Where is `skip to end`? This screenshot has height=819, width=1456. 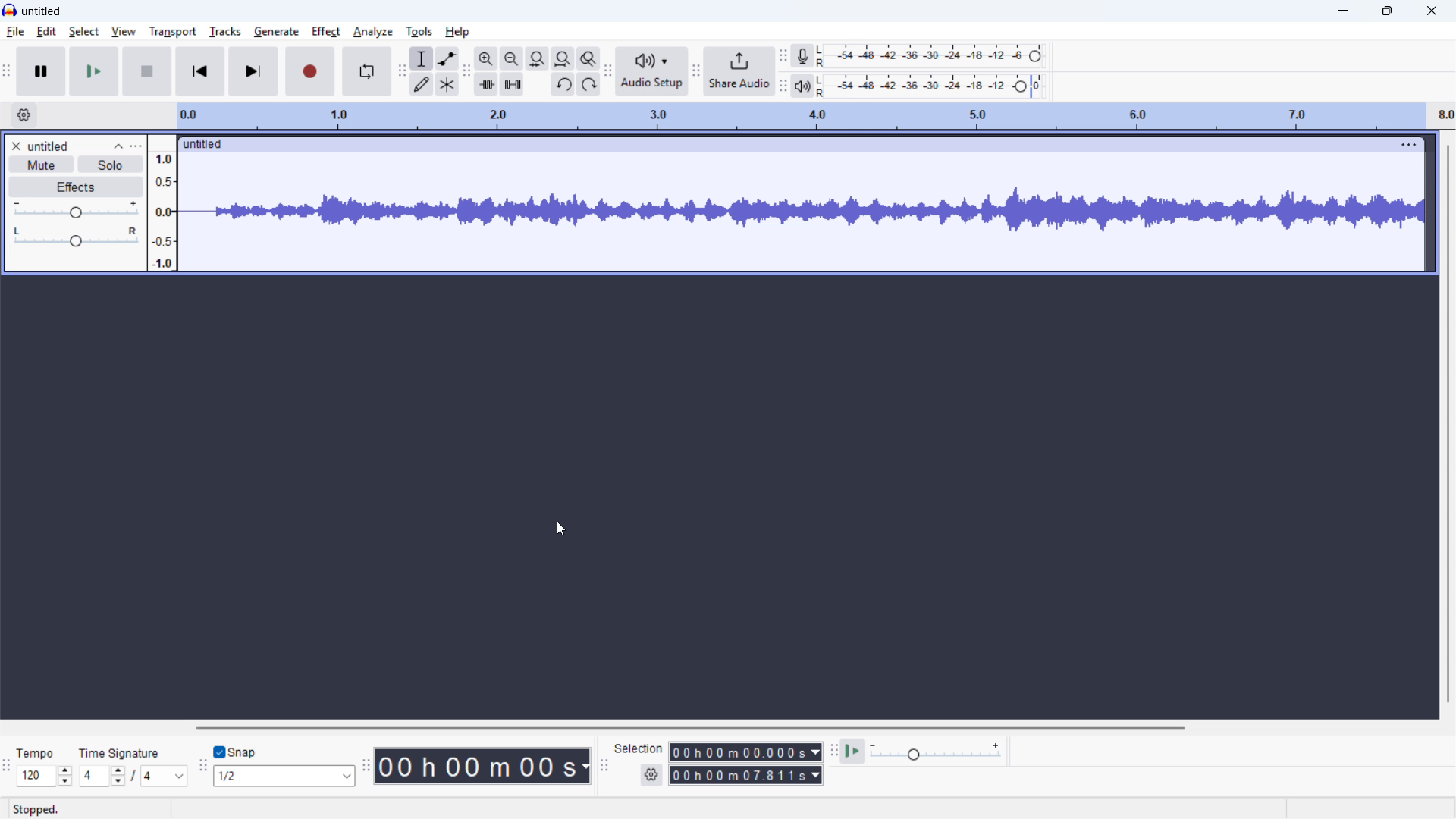
skip to end is located at coordinates (255, 71).